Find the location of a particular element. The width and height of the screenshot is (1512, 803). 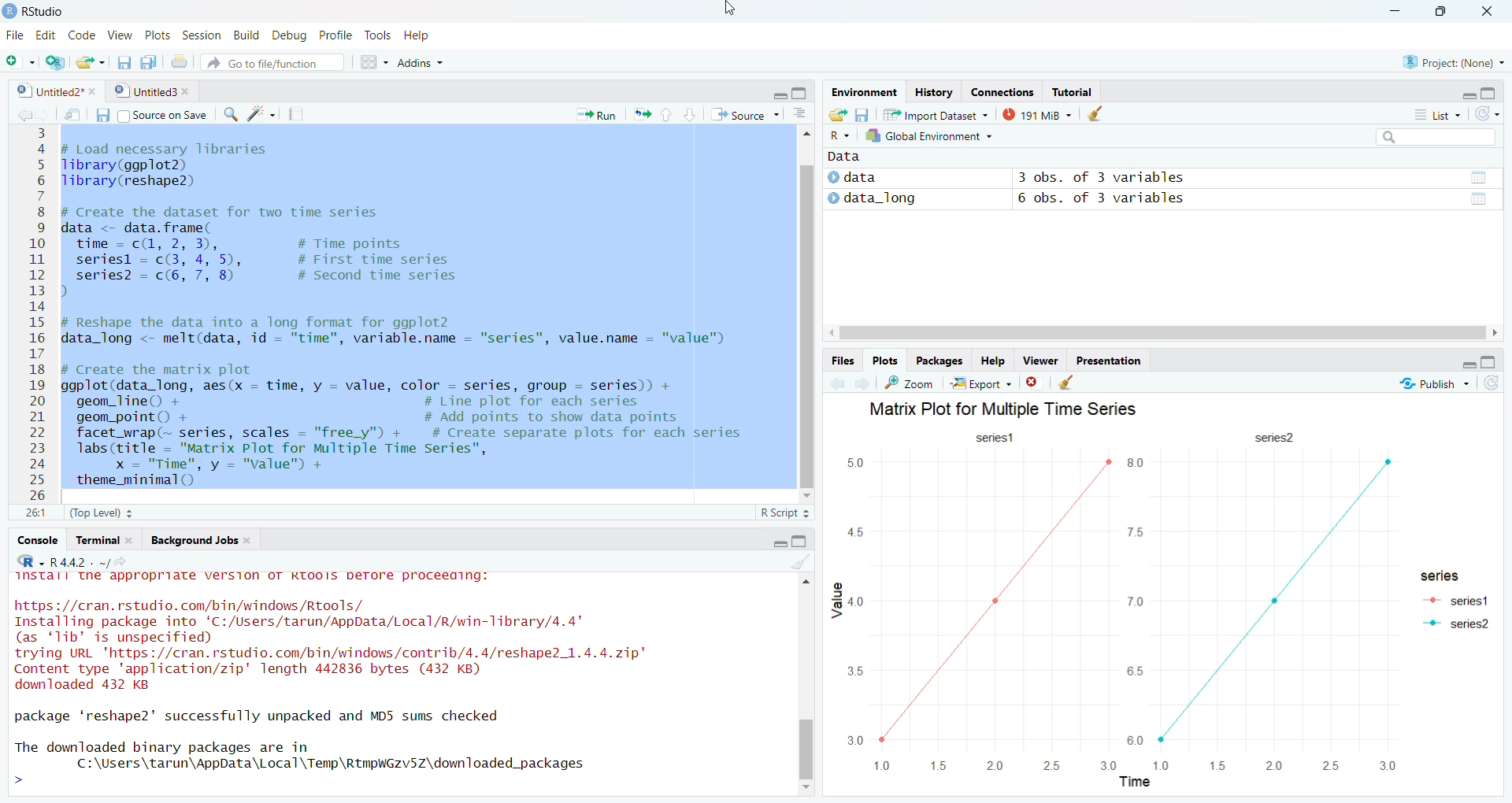

close is located at coordinates (190, 92).